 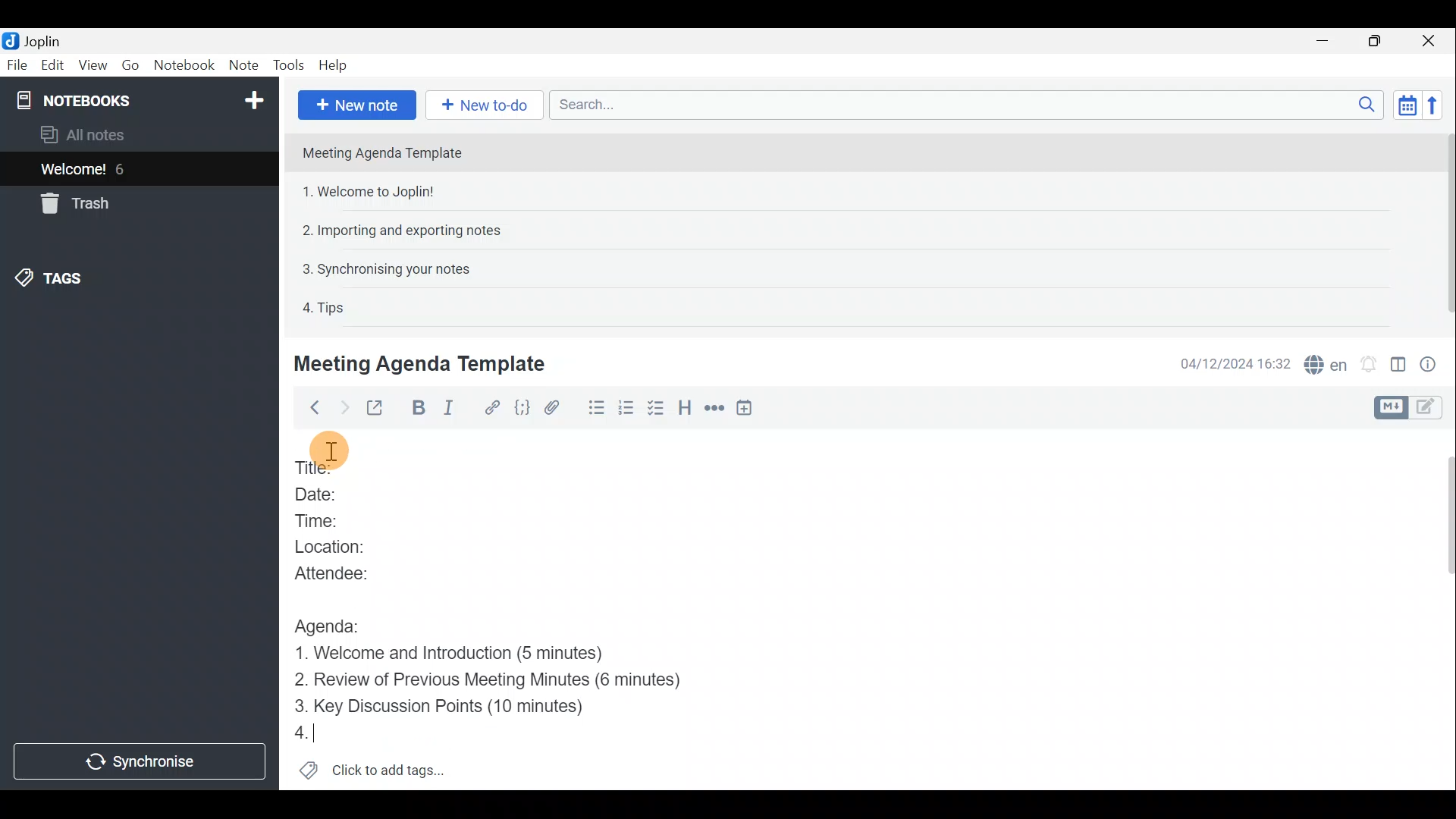 I want to click on Date:, so click(x=332, y=496).